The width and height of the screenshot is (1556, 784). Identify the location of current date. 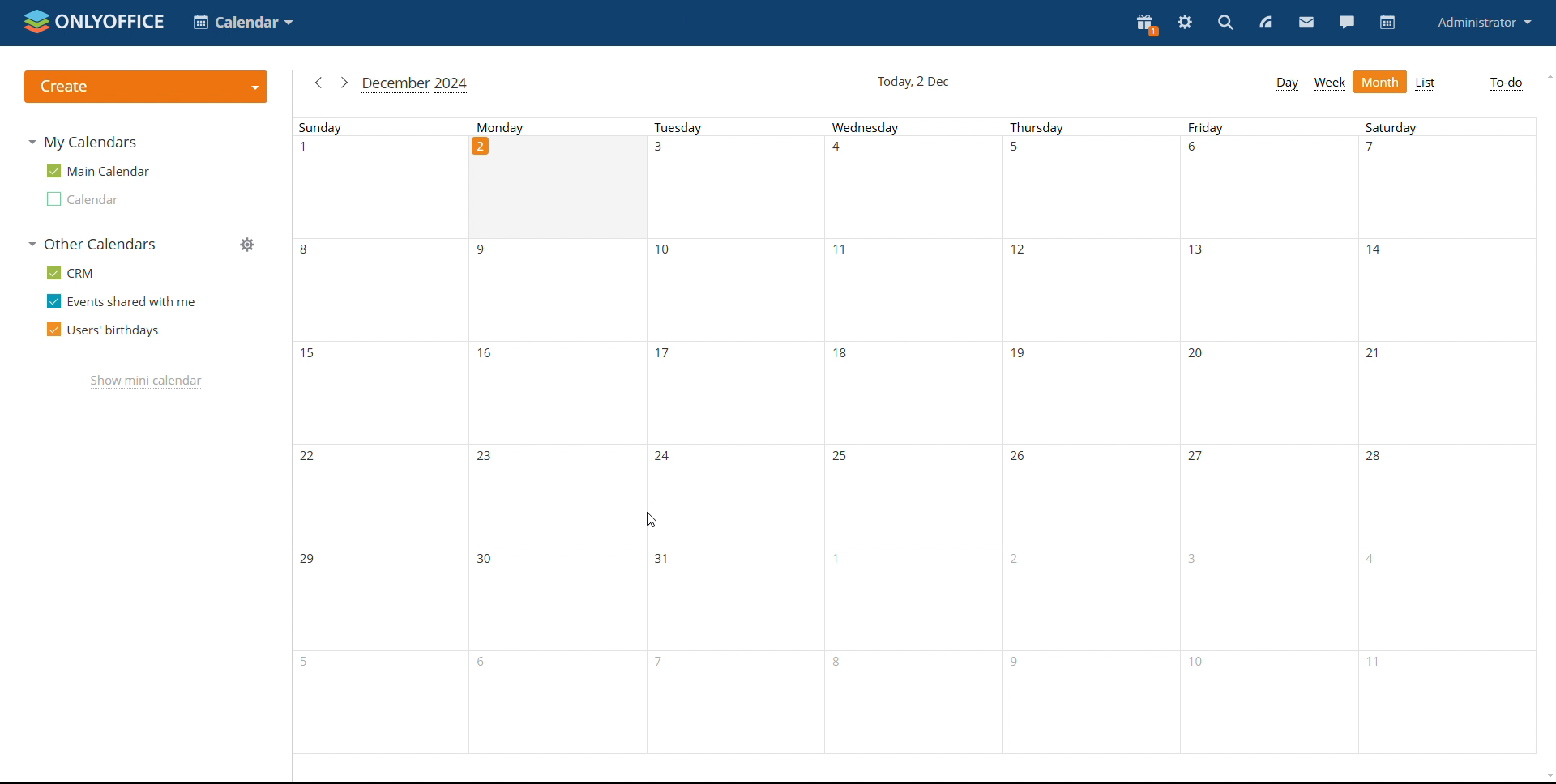
(914, 83).